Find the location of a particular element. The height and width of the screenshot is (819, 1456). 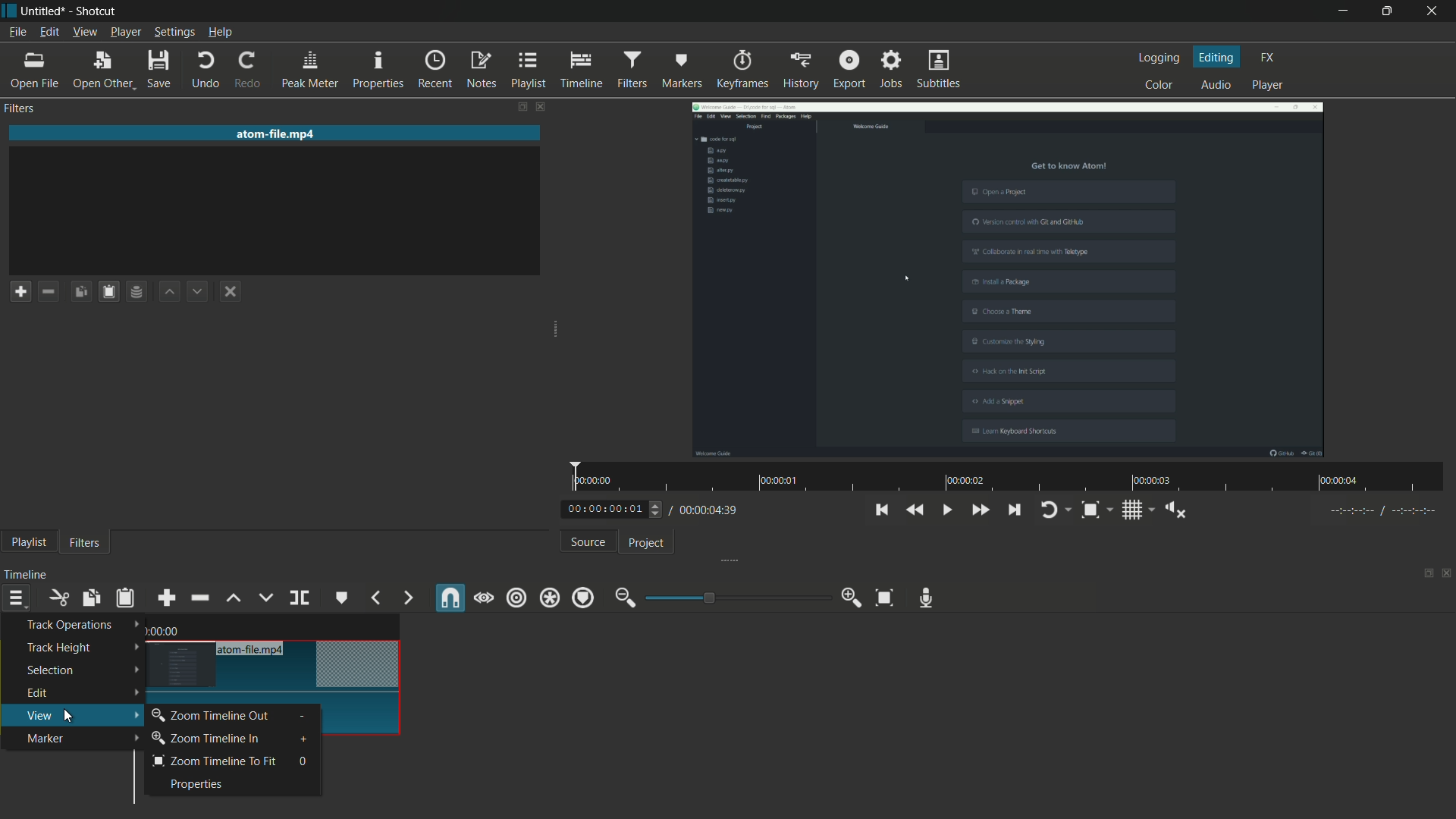

subtitles is located at coordinates (940, 70).